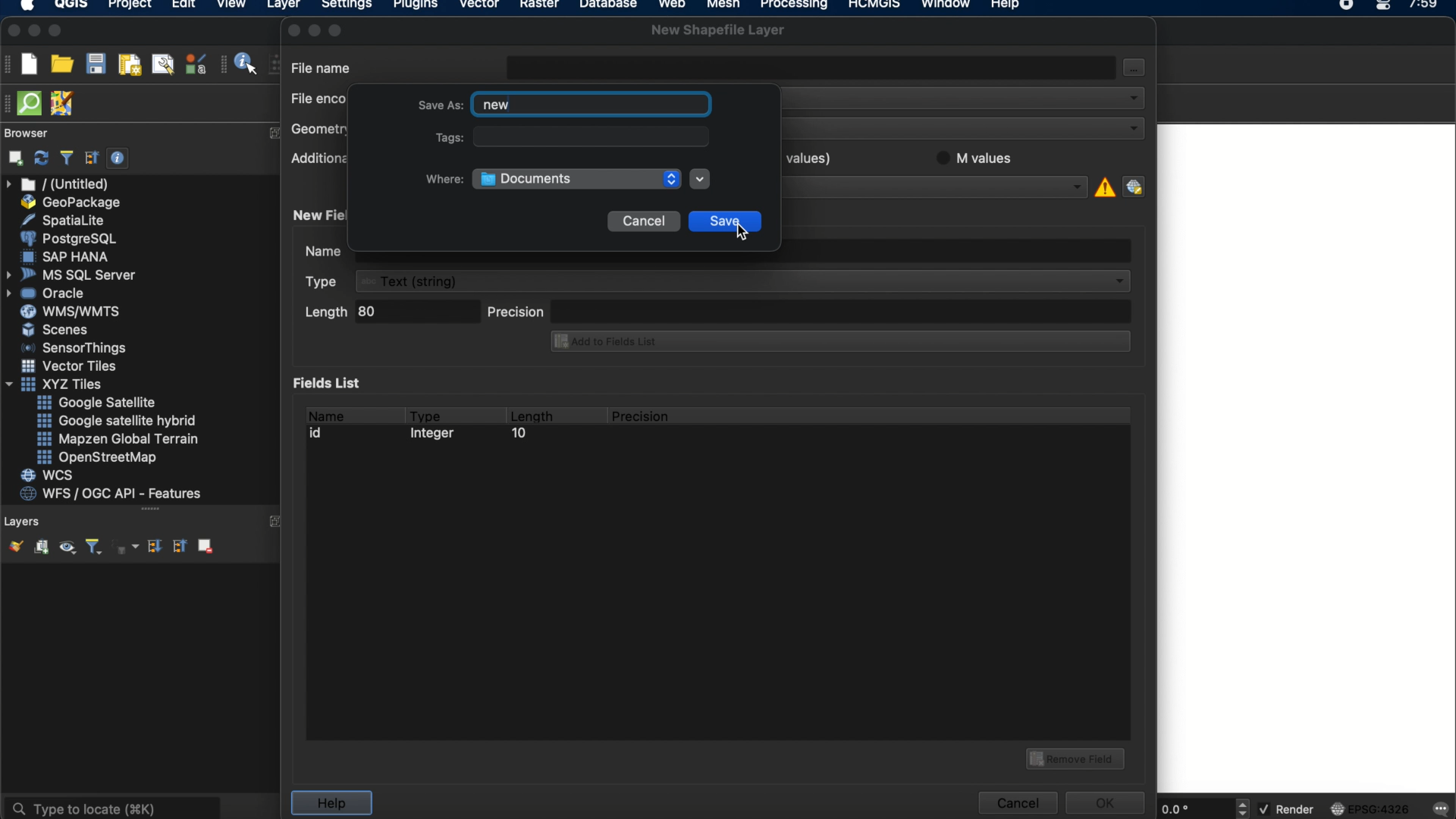 This screenshot has width=1456, height=819. What do you see at coordinates (13, 158) in the screenshot?
I see `add selected layers` at bounding box center [13, 158].